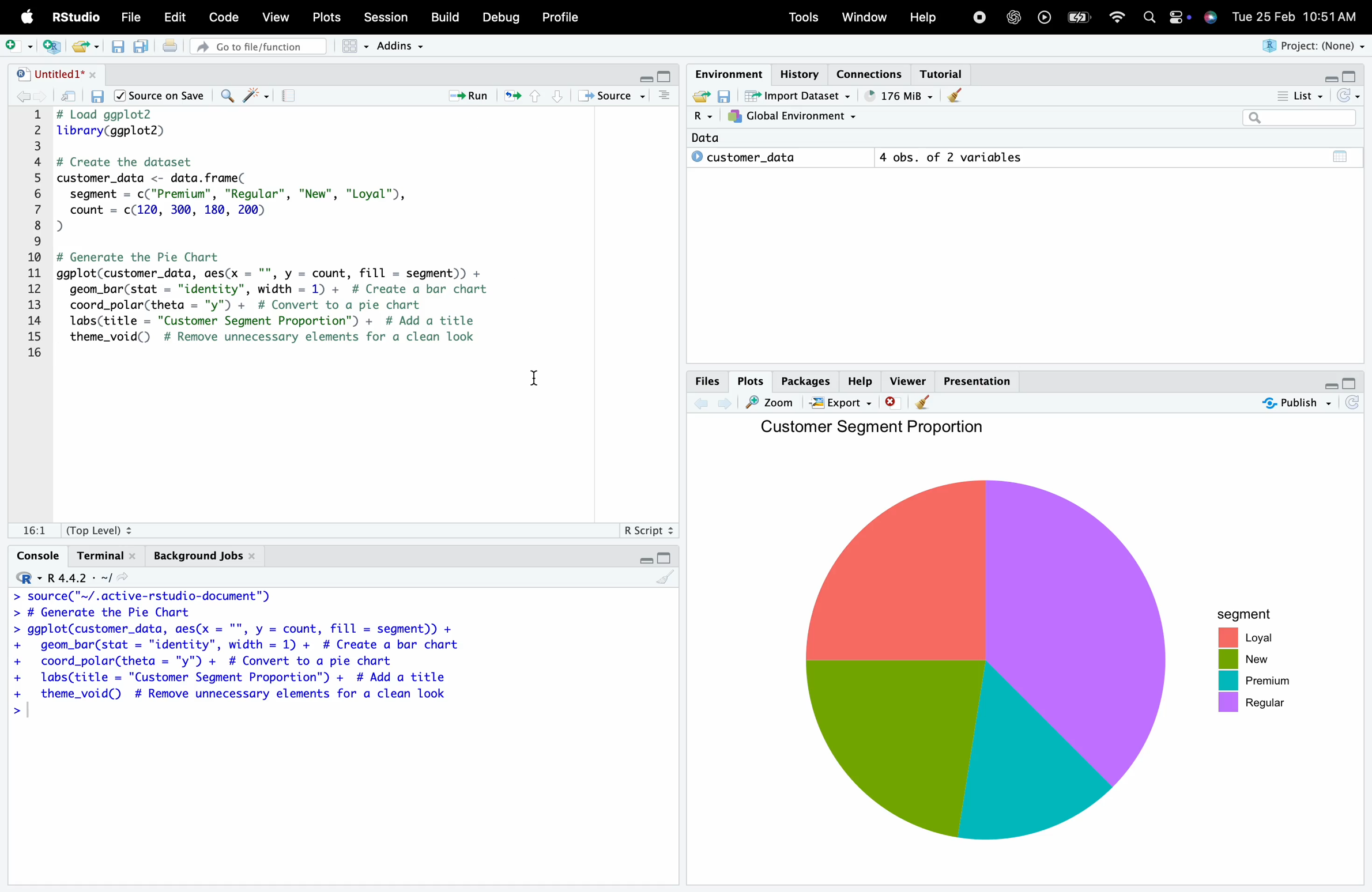 The height and width of the screenshot is (892, 1372). I want to click on File, so click(134, 18).